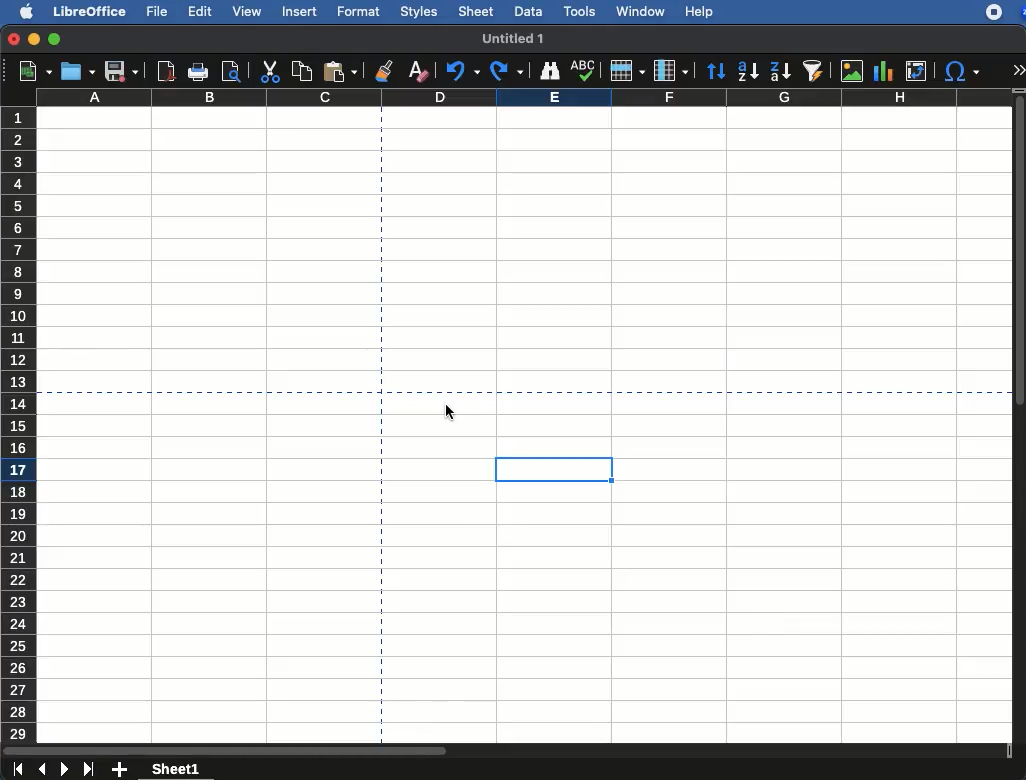 The height and width of the screenshot is (780, 1026). What do you see at coordinates (526, 11) in the screenshot?
I see `data` at bounding box center [526, 11].